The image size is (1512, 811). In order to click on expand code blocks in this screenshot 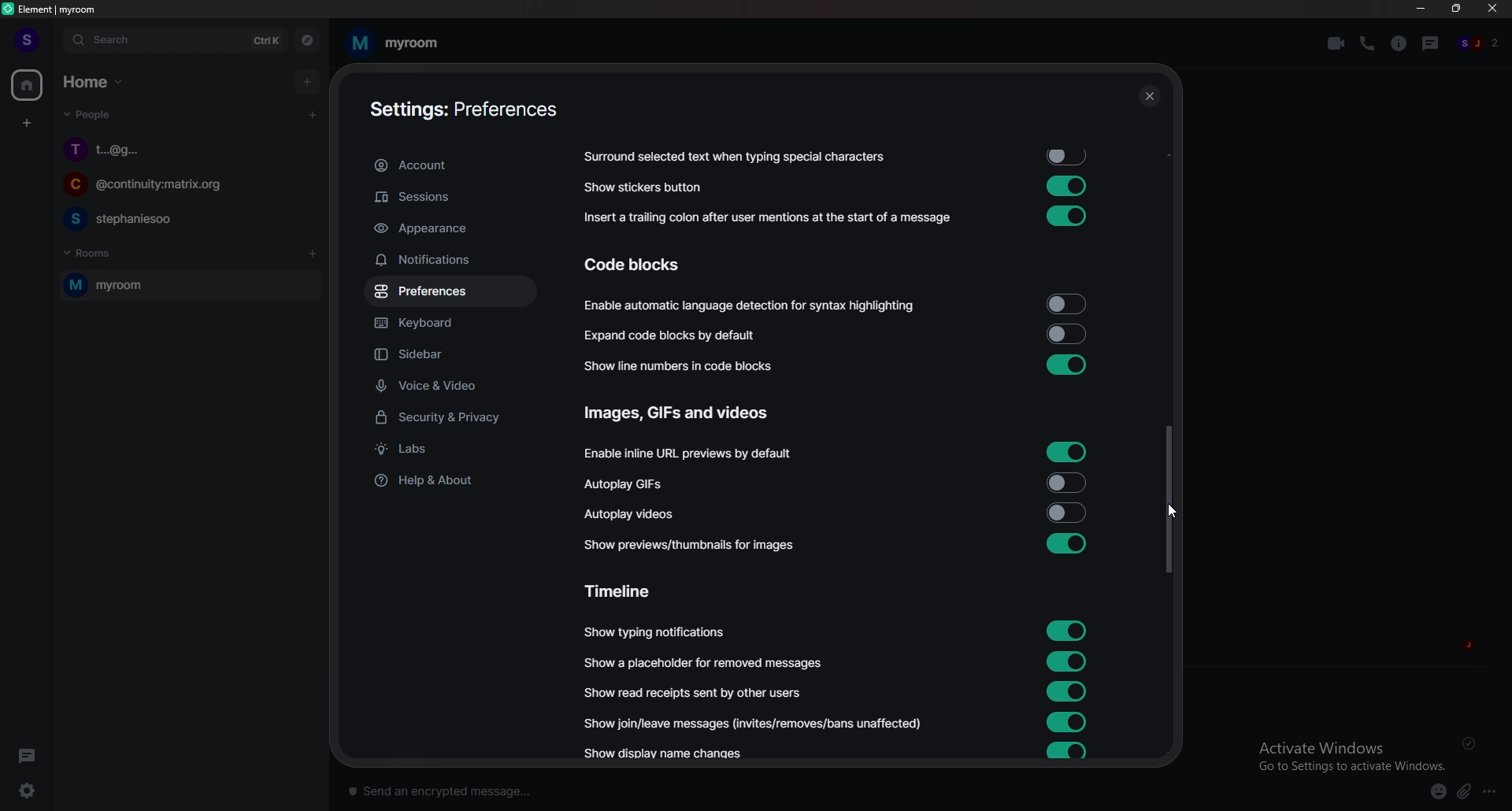, I will do `click(676, 335)`.